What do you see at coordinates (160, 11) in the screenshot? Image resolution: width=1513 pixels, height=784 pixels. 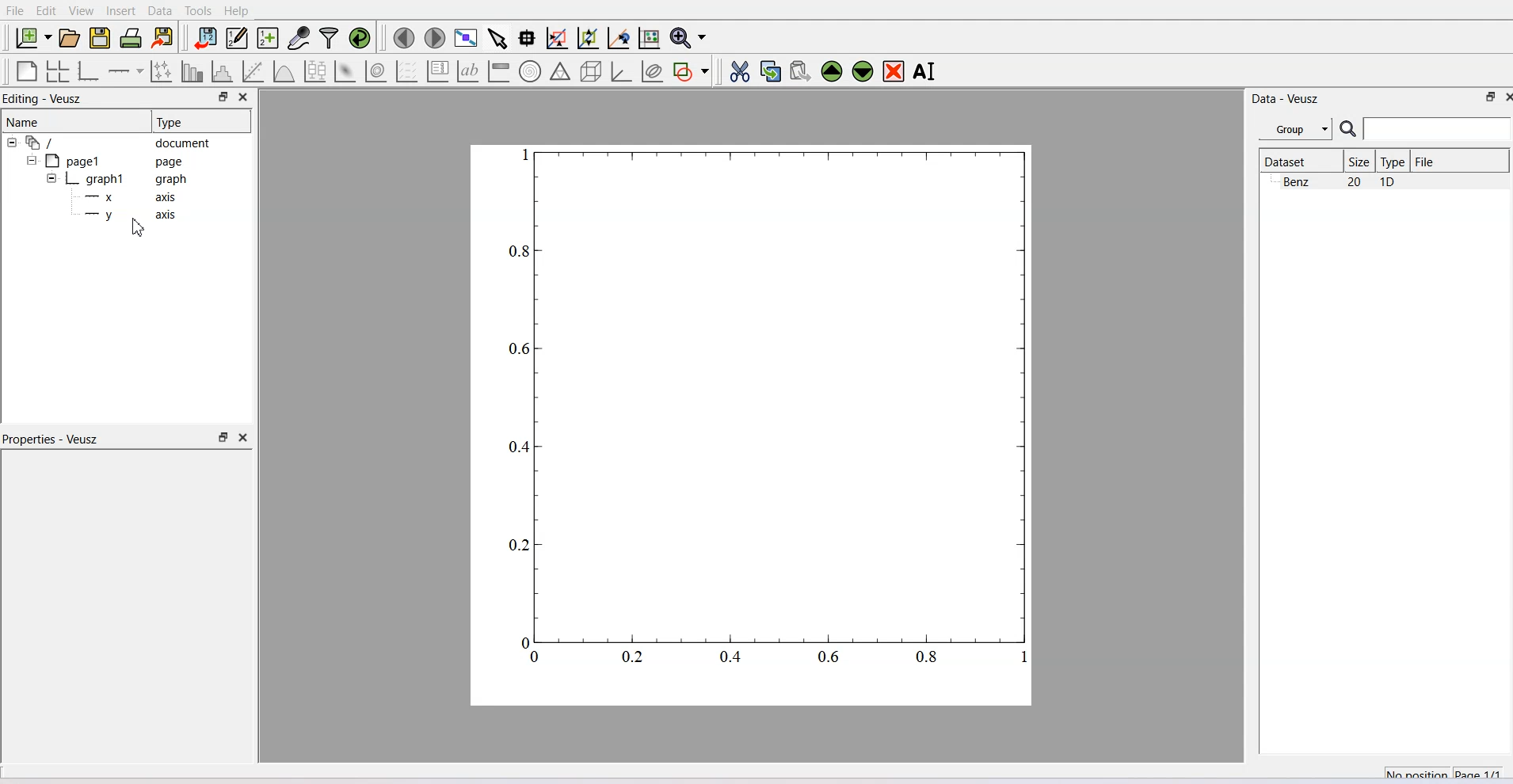 I see `Data` at bounding box center [160, 11].